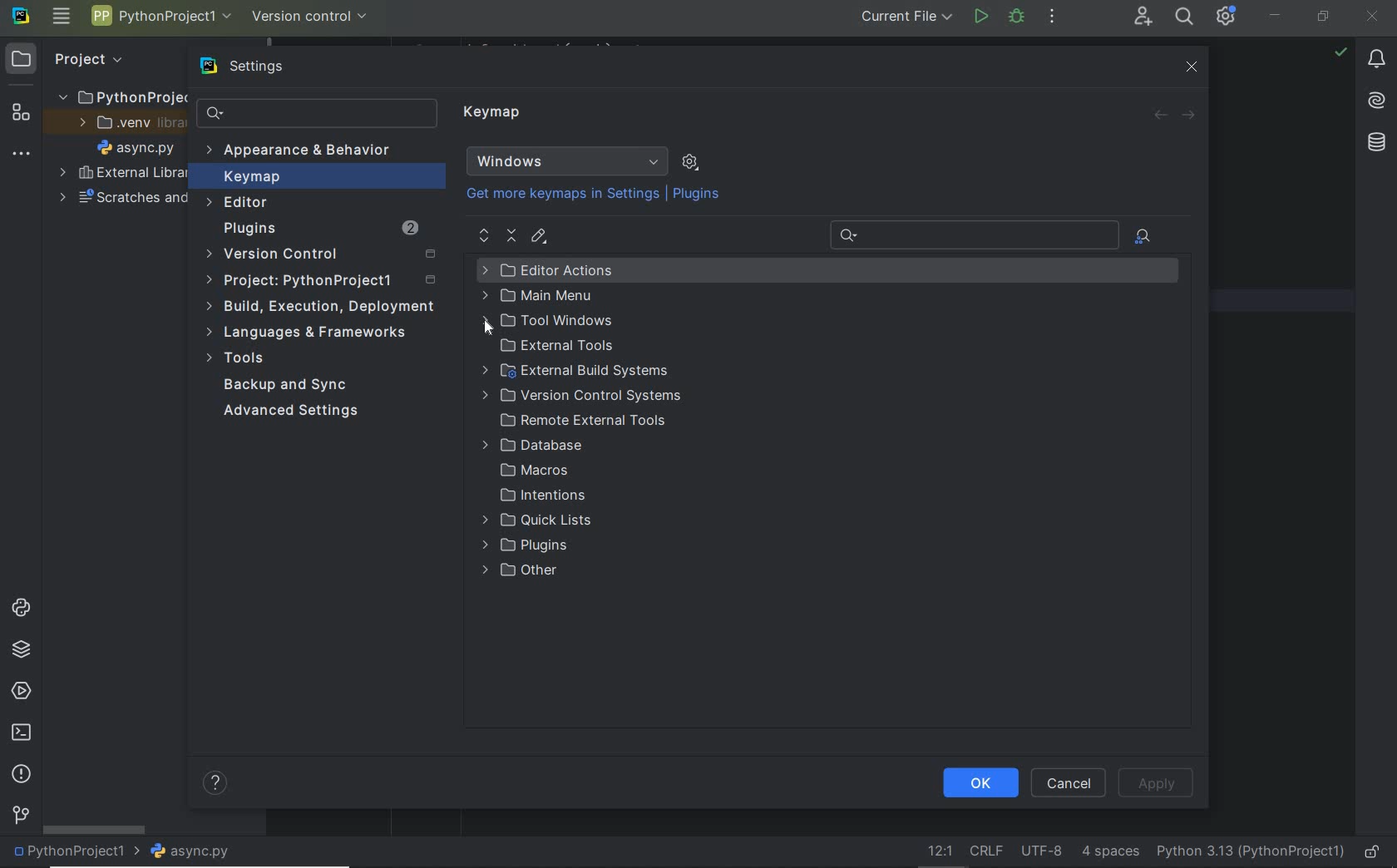 This screenshot has width=1397, height=868. Describe the element at coordinates (526, 545) in the screenshot. I see `Plugins` at that location.